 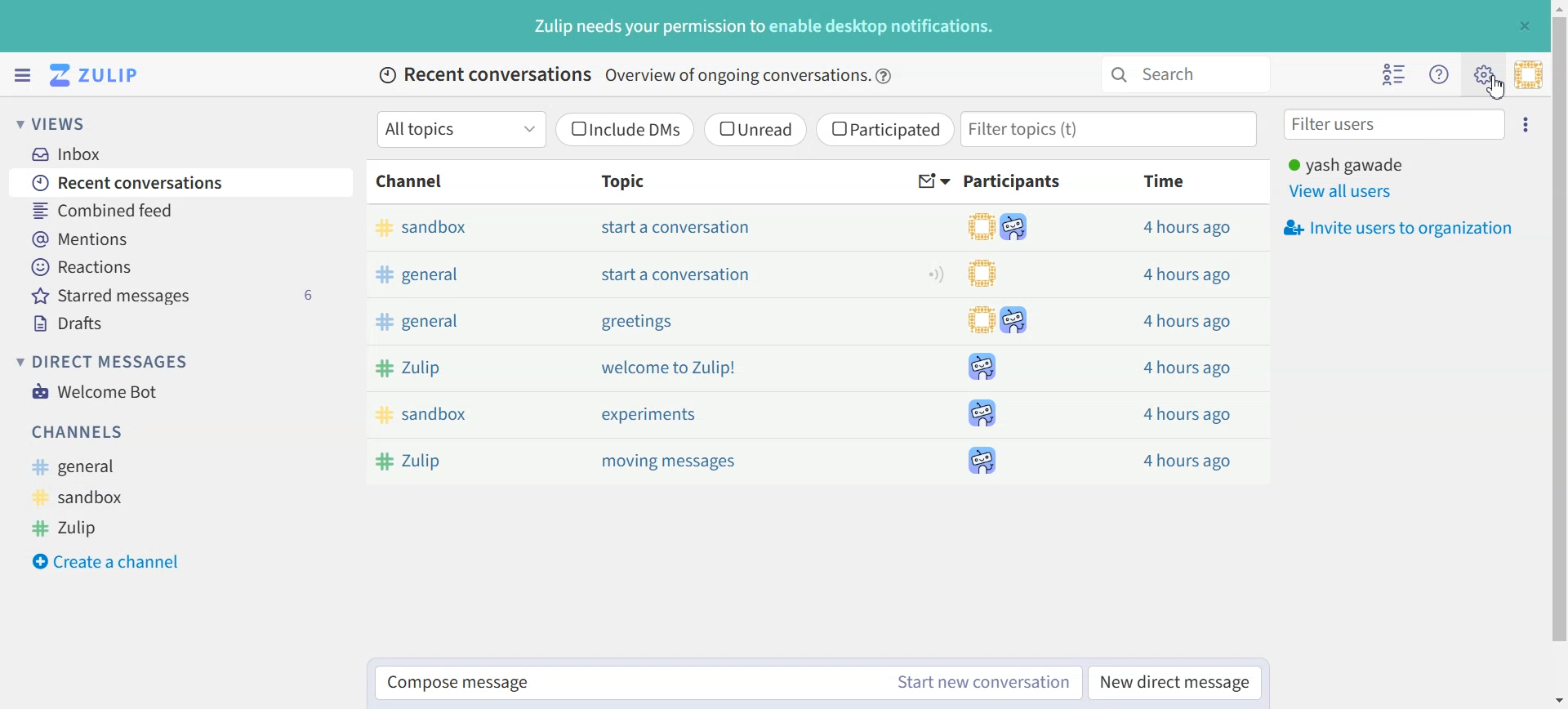 What do you see at coordinates (180, 209) in the screenshot?
I see `Combined Feed` at bounding box center [180, 209].